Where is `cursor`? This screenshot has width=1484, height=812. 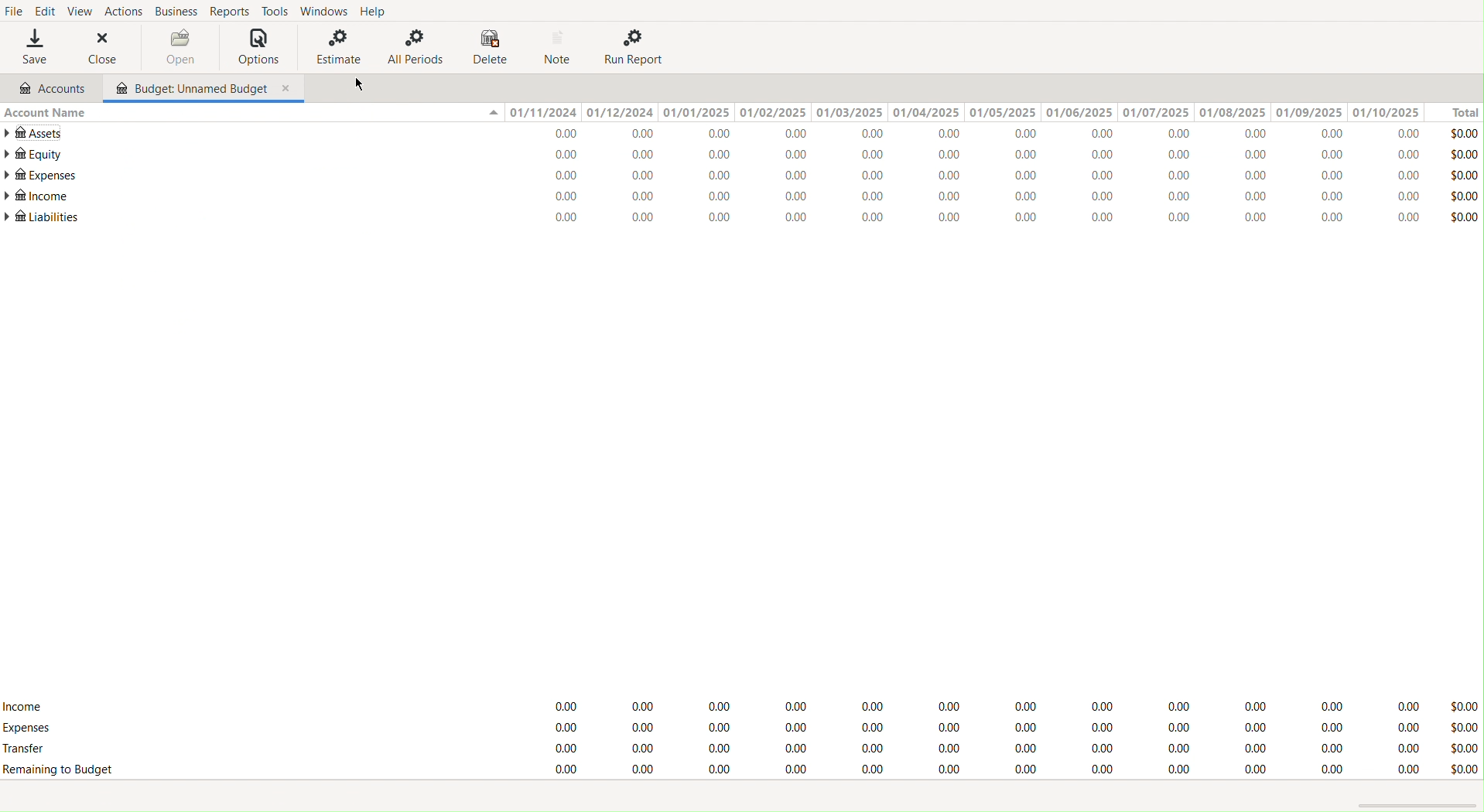
cursor is located at coordinates (362, 84).